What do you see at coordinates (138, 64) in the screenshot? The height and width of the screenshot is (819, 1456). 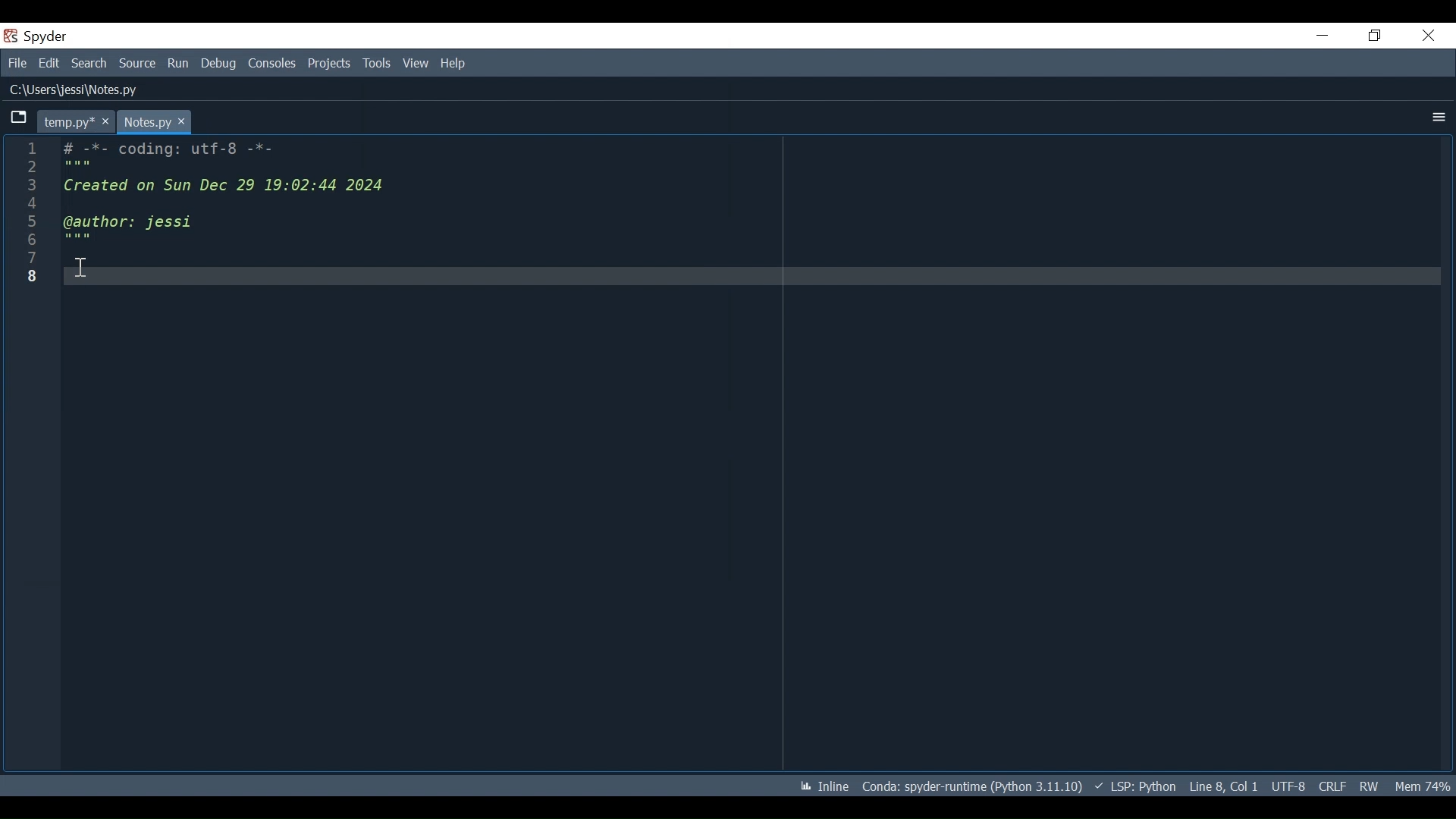 I see `Source` at bounding box center [138, 64].